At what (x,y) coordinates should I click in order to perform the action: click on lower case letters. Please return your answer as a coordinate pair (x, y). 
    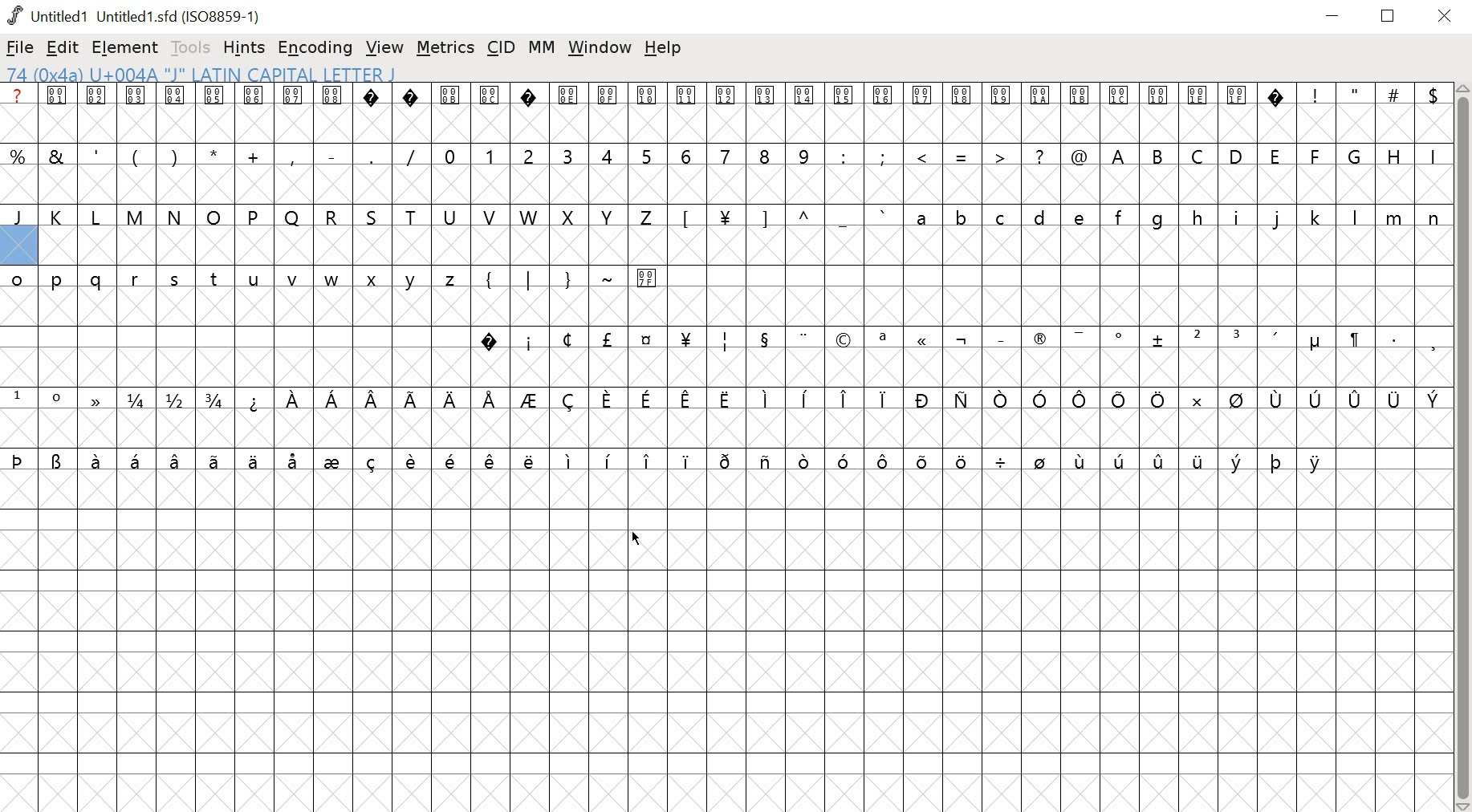
    Looking at the image, I should click on (238, 282).